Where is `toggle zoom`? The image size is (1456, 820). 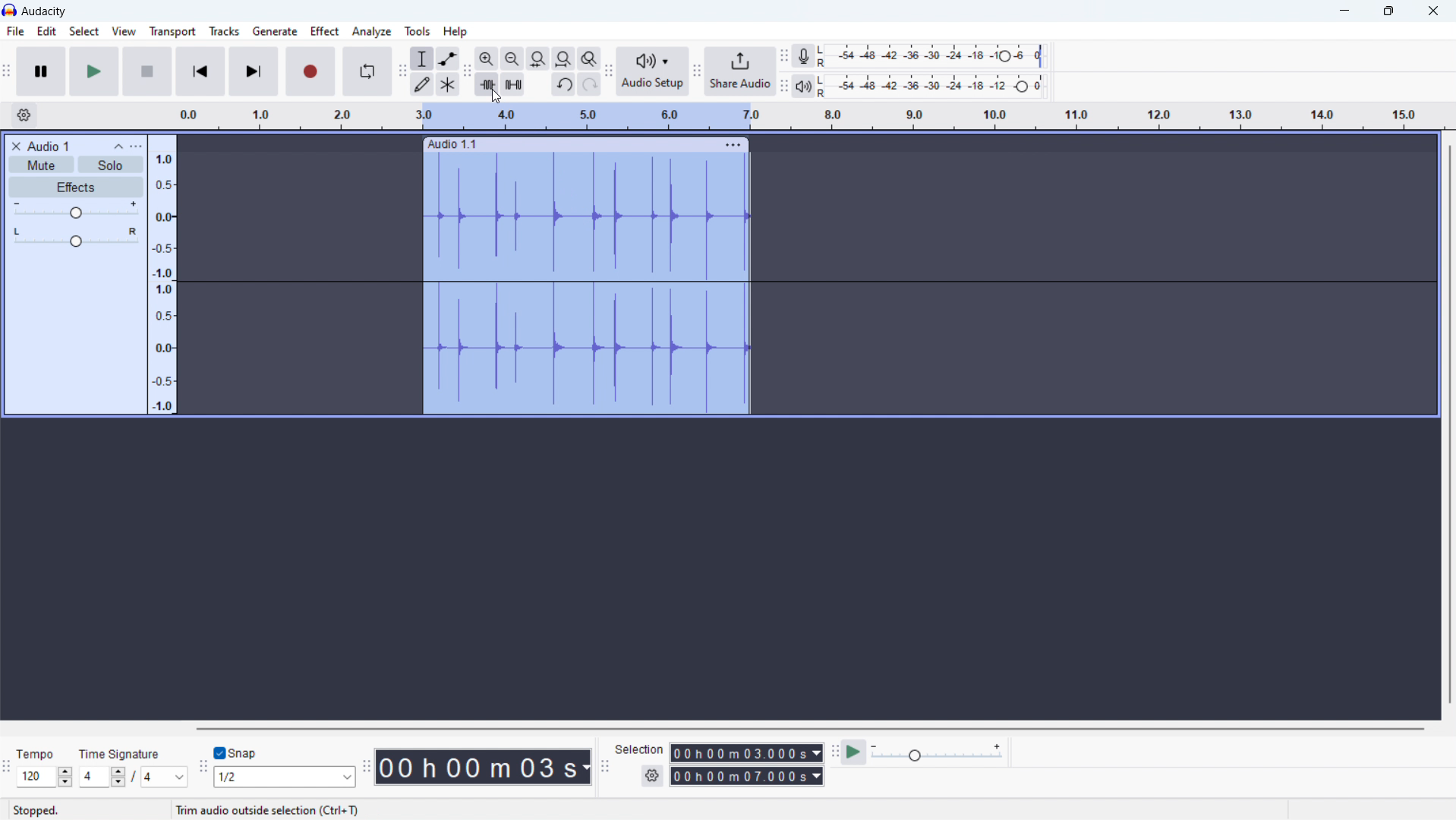 toggle zoom is located at coordinates (590, 58).